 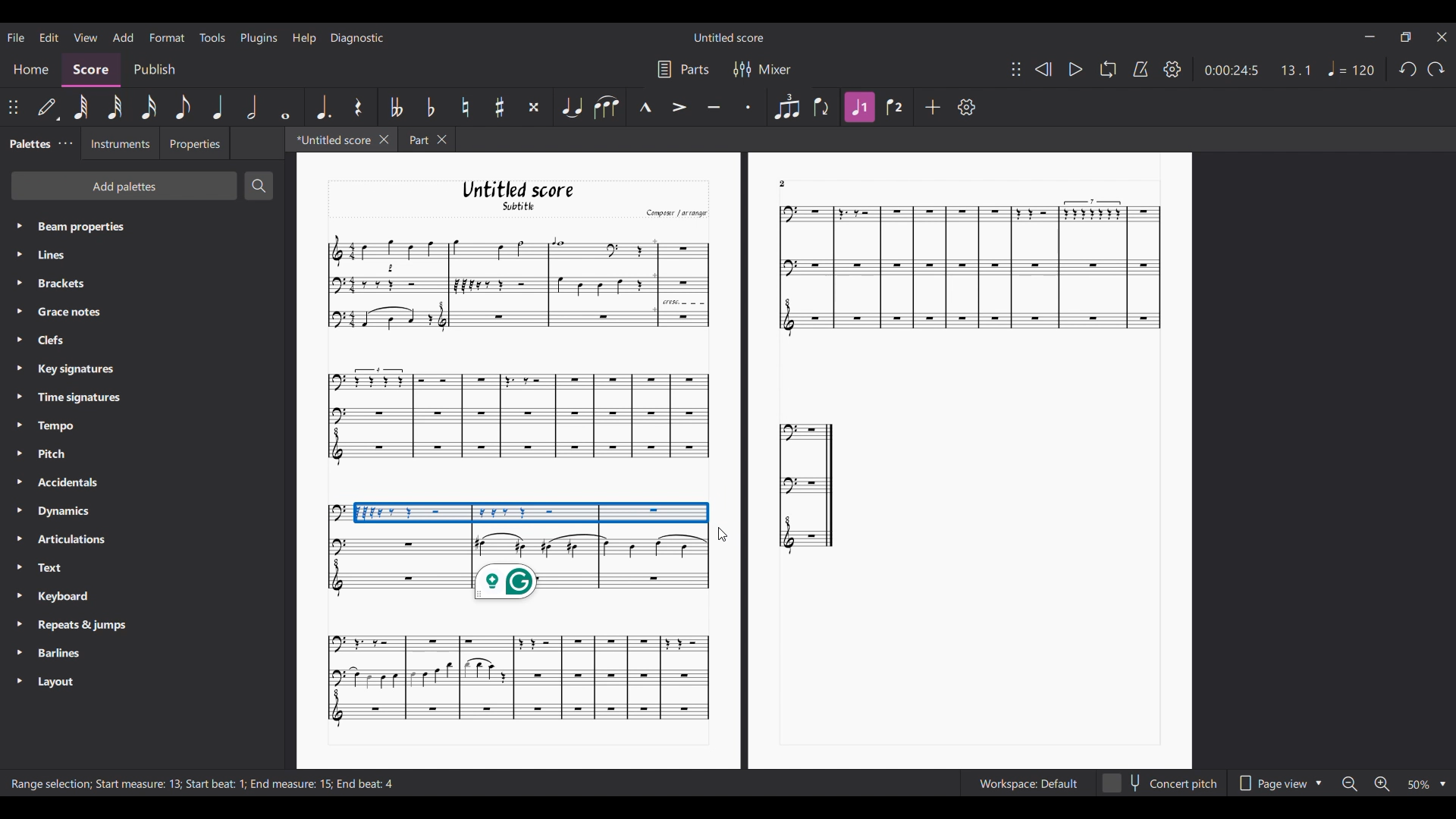 What do you see at coordinates (49, 37) in the screenshot?
I see `Edit menu` at bounding box center [49, 37].